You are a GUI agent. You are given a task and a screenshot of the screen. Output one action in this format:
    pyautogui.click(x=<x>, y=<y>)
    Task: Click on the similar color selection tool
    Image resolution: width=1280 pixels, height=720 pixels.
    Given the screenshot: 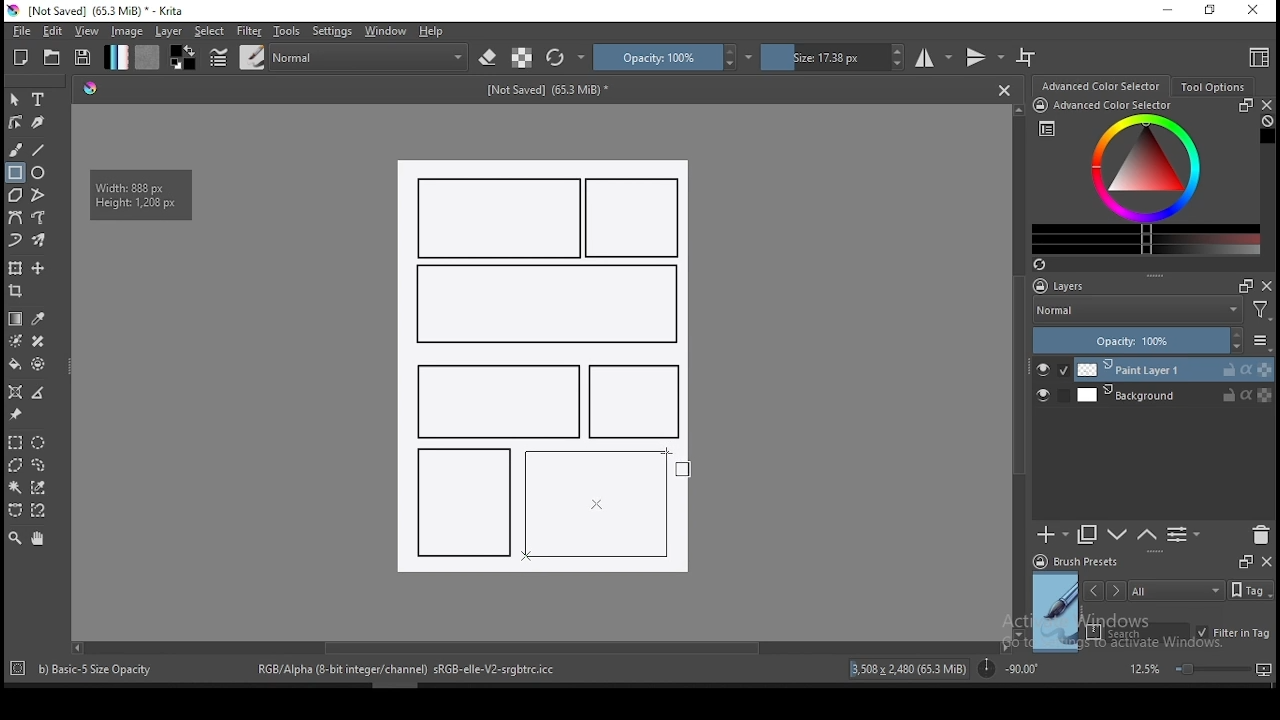 What is the action you would take?
    pyautogui.click(x=41, y=487)
    